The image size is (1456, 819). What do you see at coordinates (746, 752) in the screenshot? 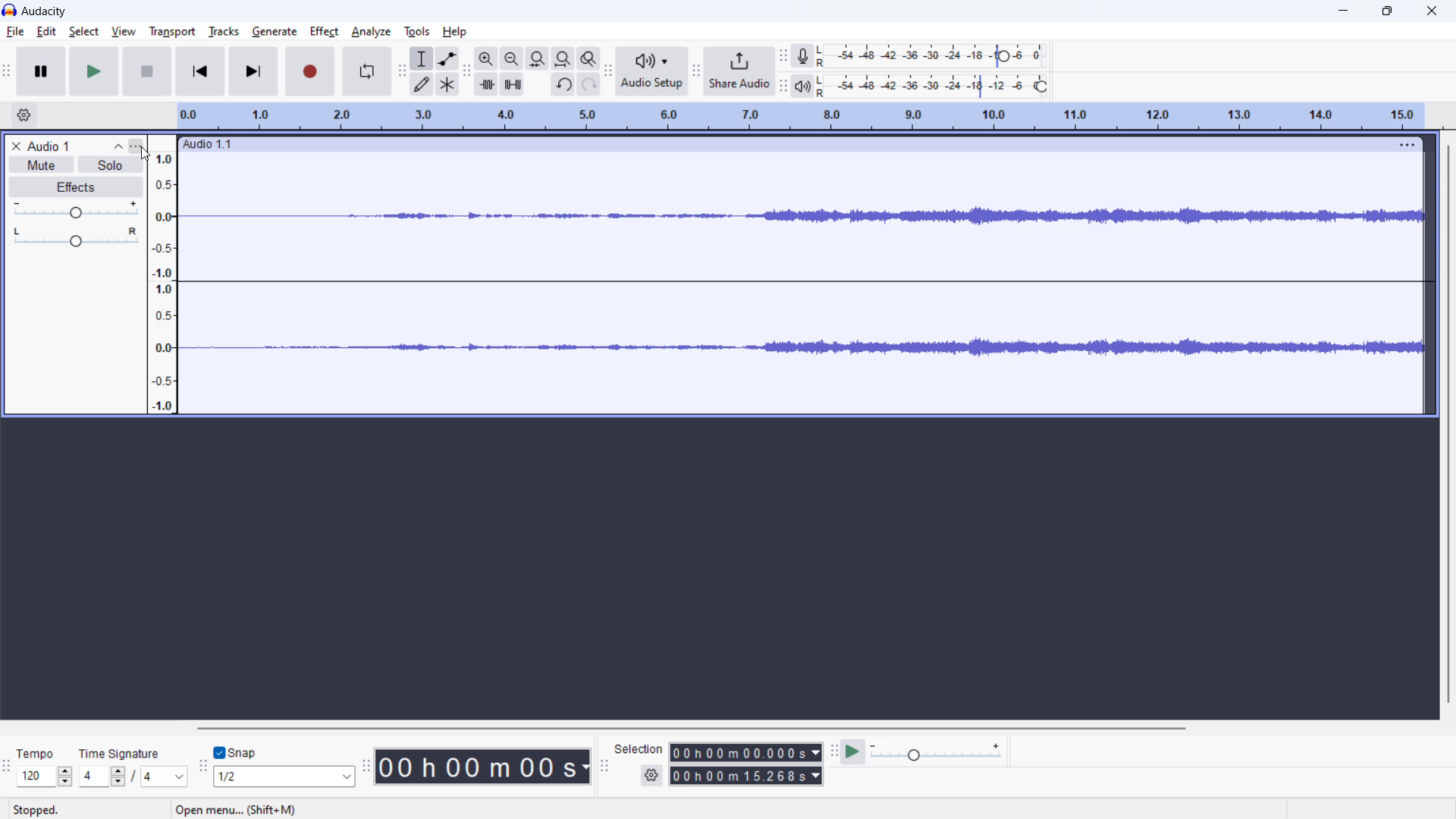
I see `start time` at bounding box center [746, 752].